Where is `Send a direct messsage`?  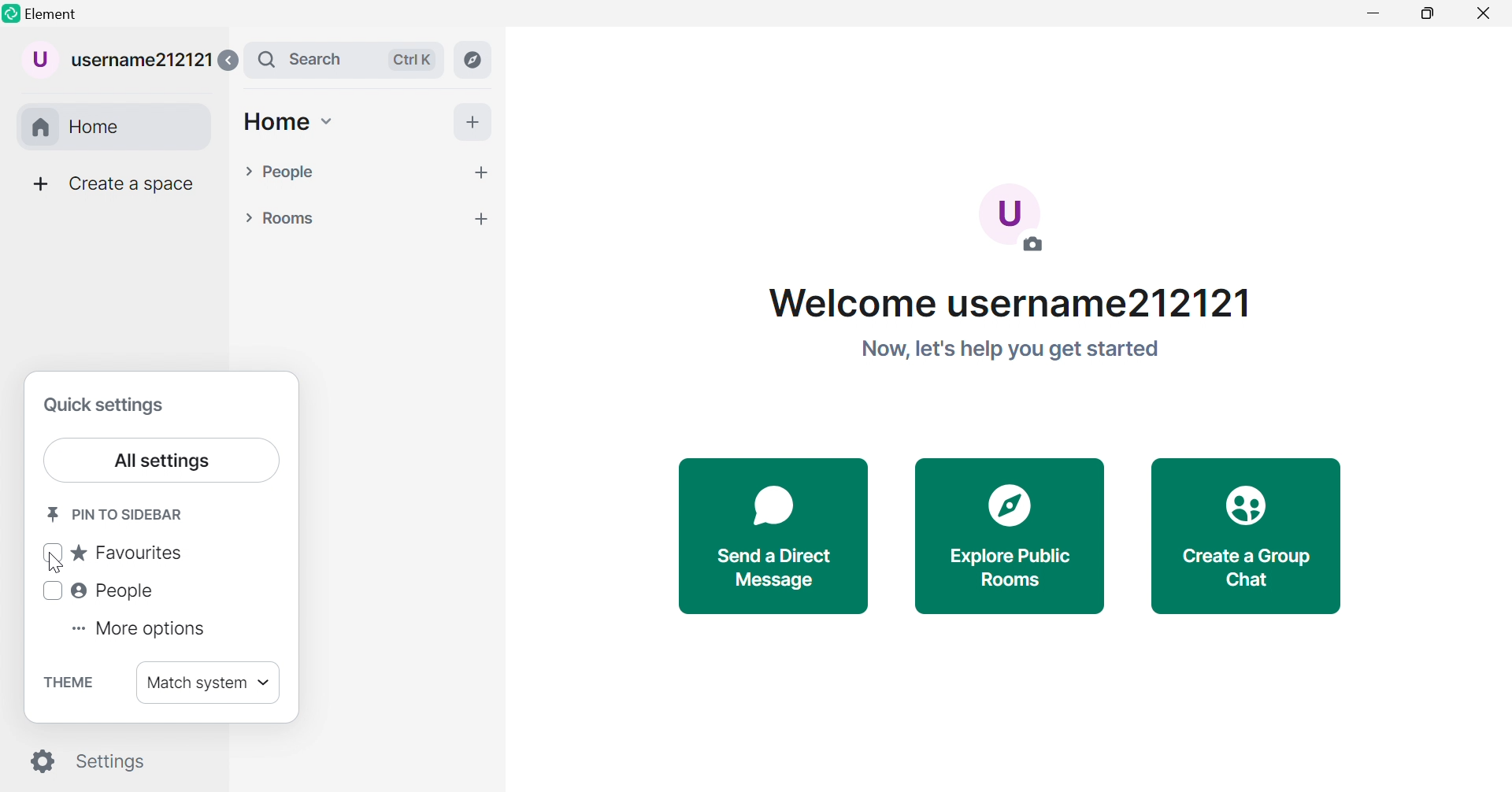
Send a direct messsage is located at coordinates (773, 568).